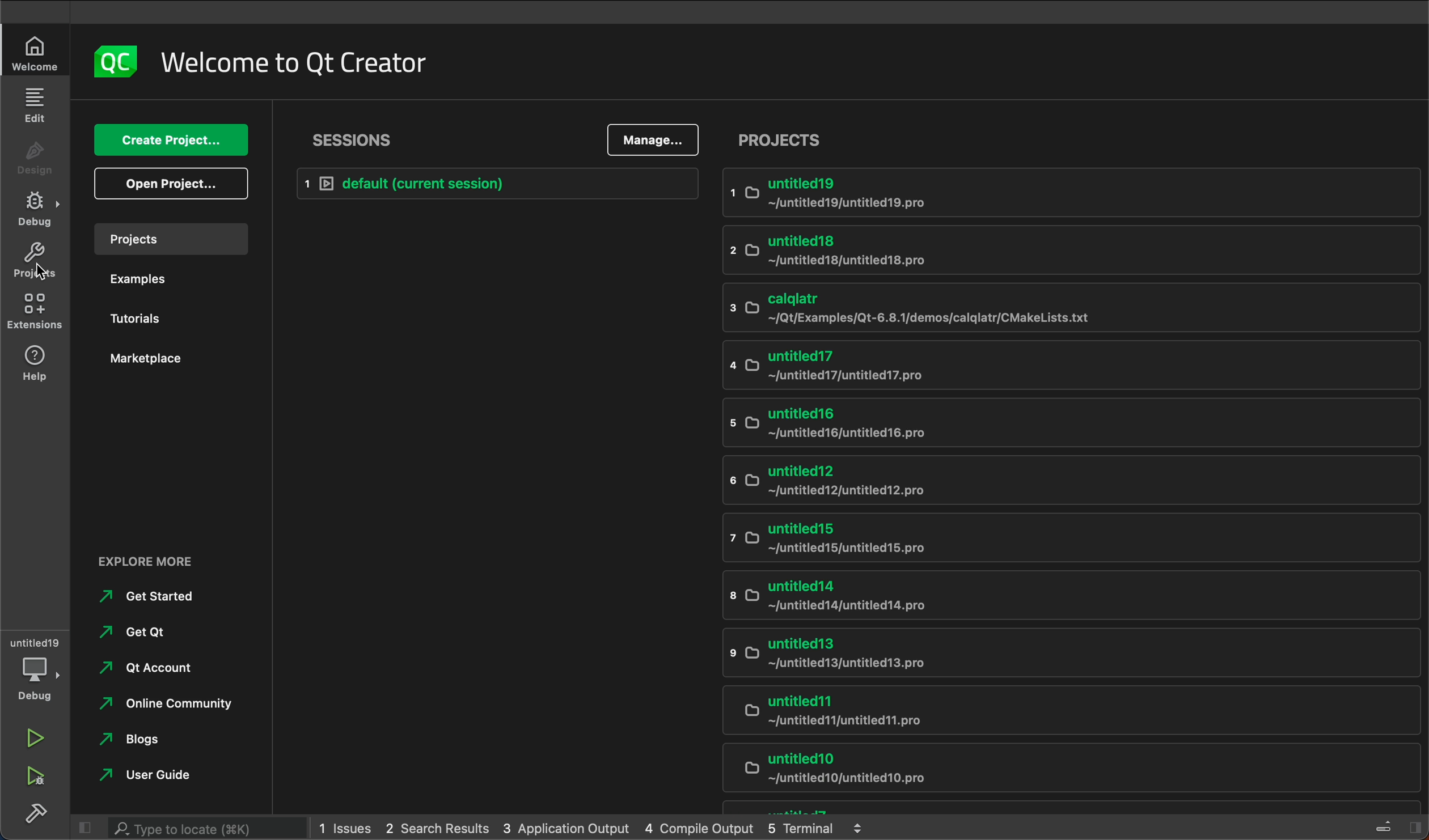  I want to click on manage, so click(652, 139).